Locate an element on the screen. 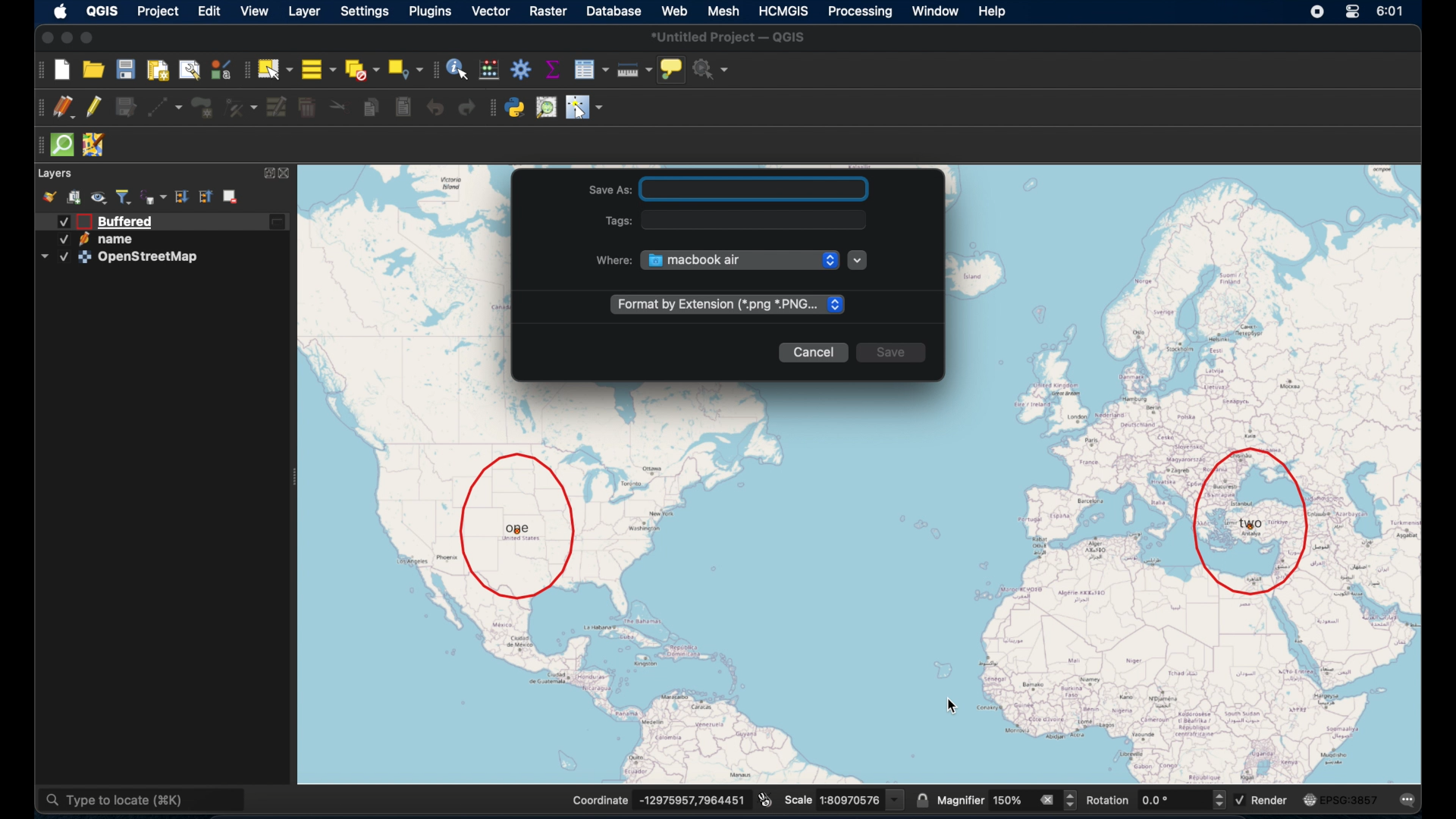 The image size is (1456, 819). current edits is located at coordinates (65, 108).